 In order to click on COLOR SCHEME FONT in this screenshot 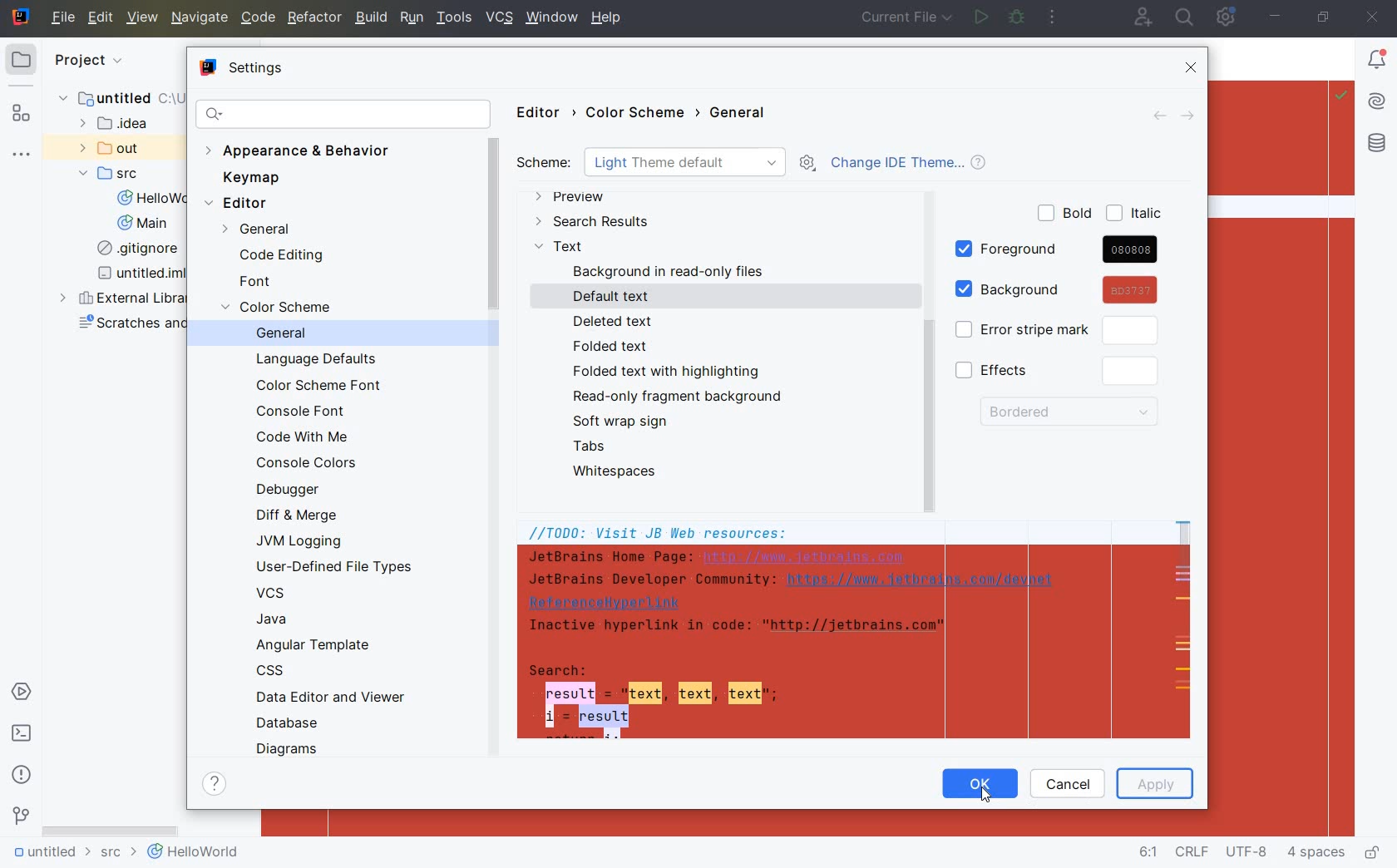, I will do `click(318, 386)`.